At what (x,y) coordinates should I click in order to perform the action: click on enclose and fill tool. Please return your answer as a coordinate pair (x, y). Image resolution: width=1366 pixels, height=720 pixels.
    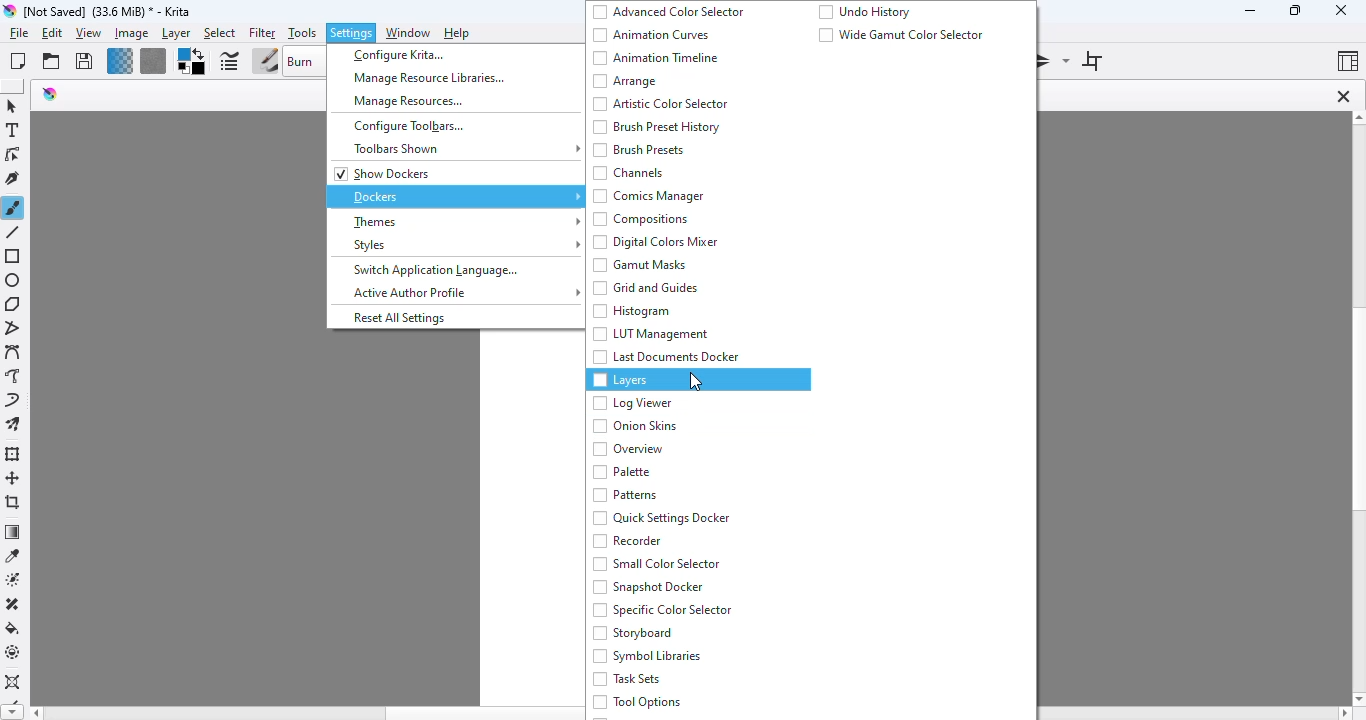
    Looking at the image, I should click on (13, 652).